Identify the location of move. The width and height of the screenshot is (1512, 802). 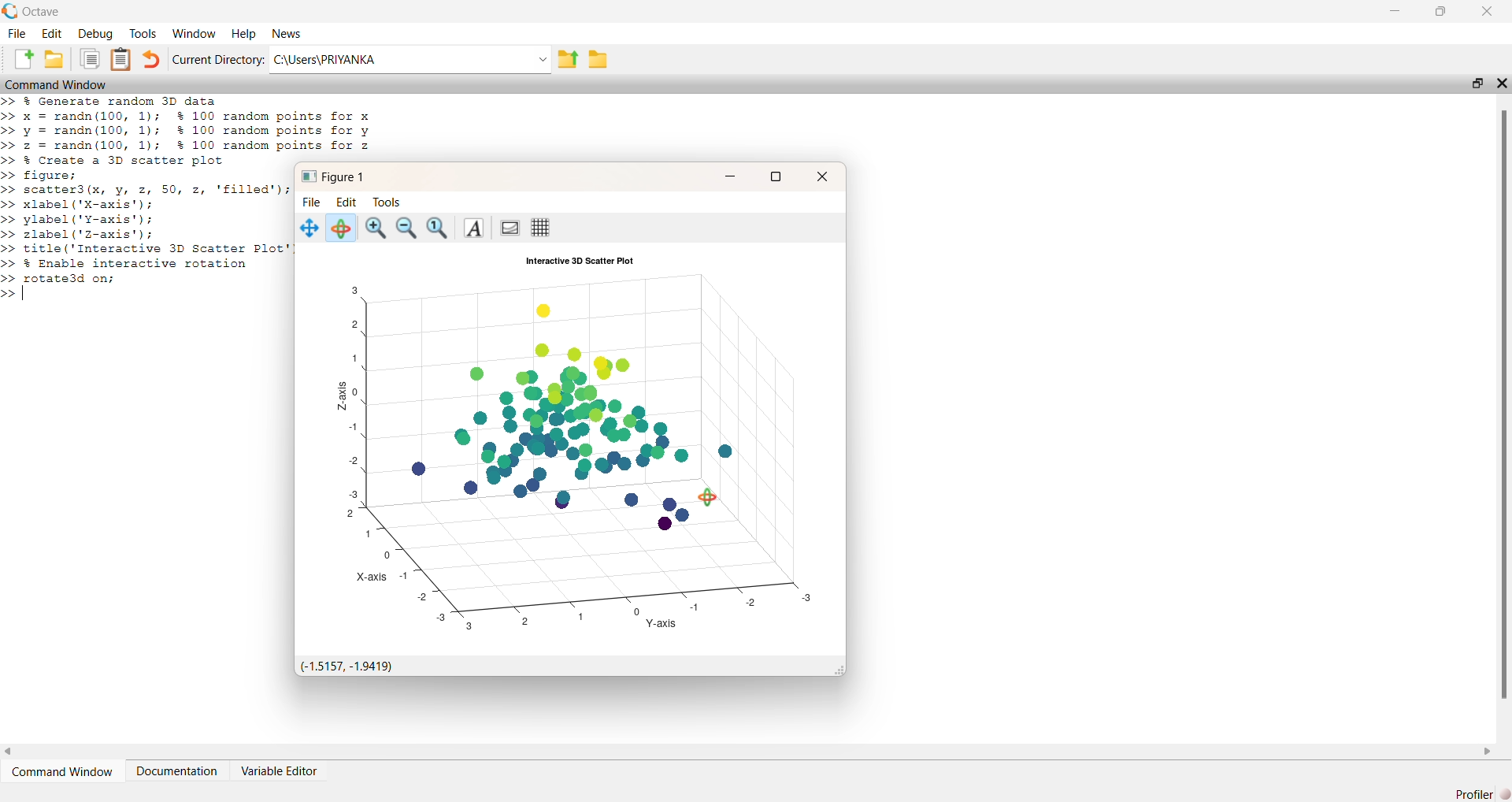
(309, 228).